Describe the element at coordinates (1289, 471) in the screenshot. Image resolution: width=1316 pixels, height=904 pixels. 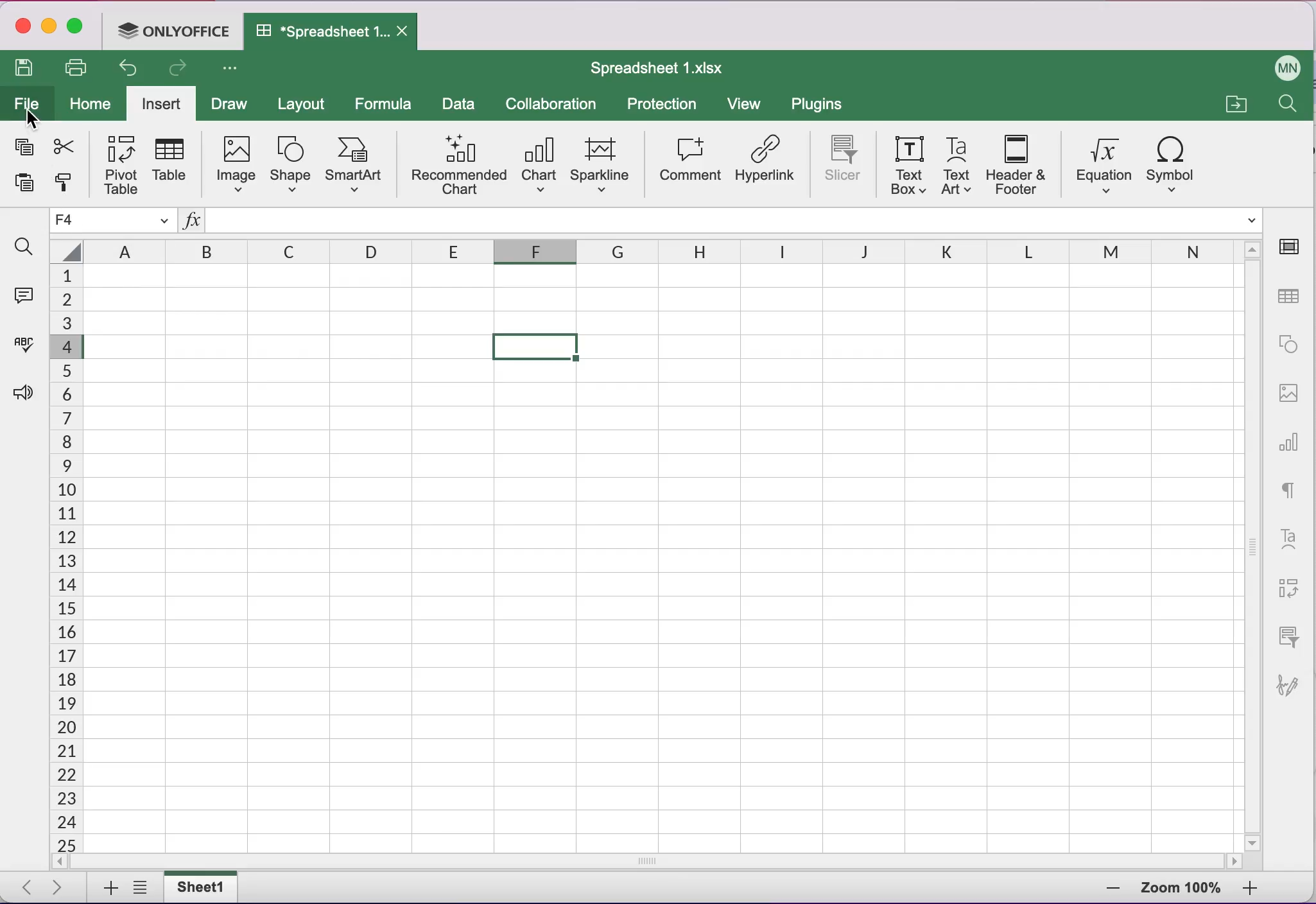
I see `Side Toolbar` at that location.